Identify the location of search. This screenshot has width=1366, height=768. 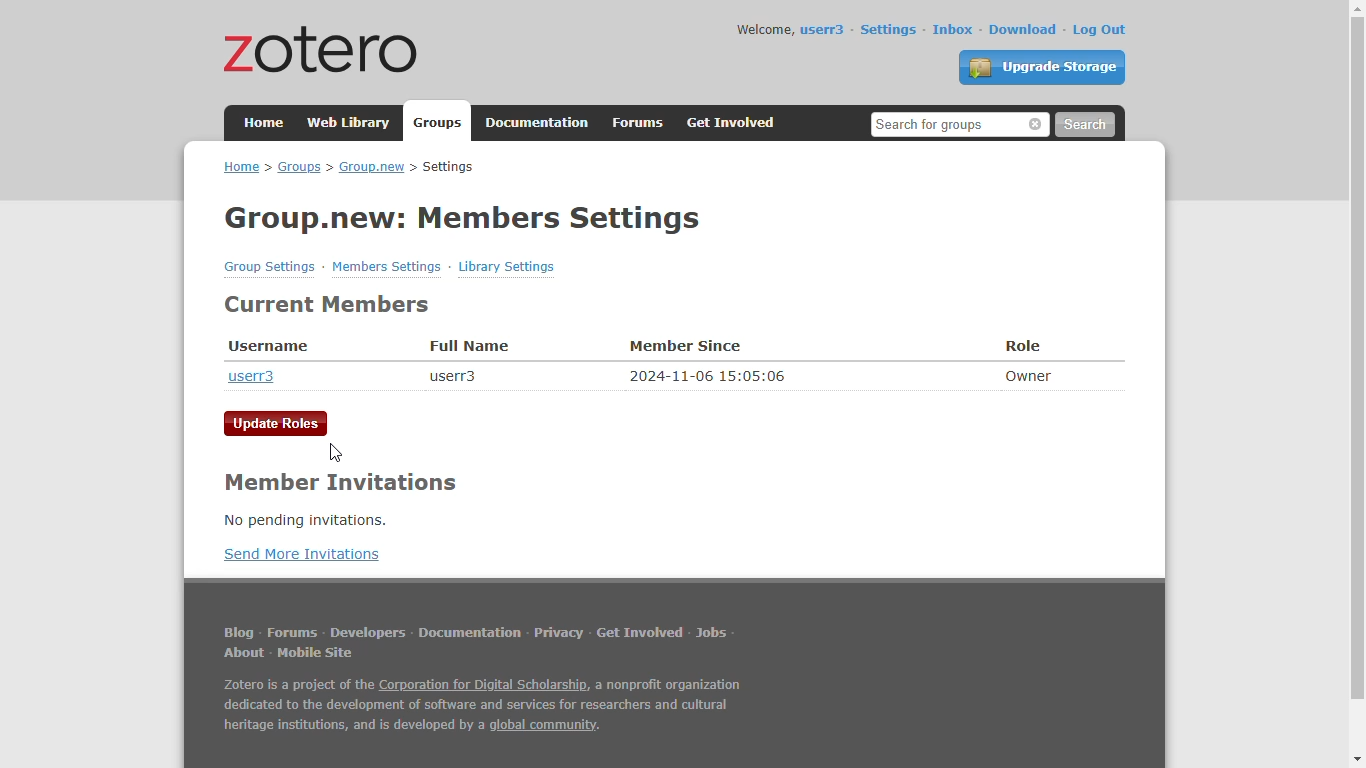
(1084, 125).